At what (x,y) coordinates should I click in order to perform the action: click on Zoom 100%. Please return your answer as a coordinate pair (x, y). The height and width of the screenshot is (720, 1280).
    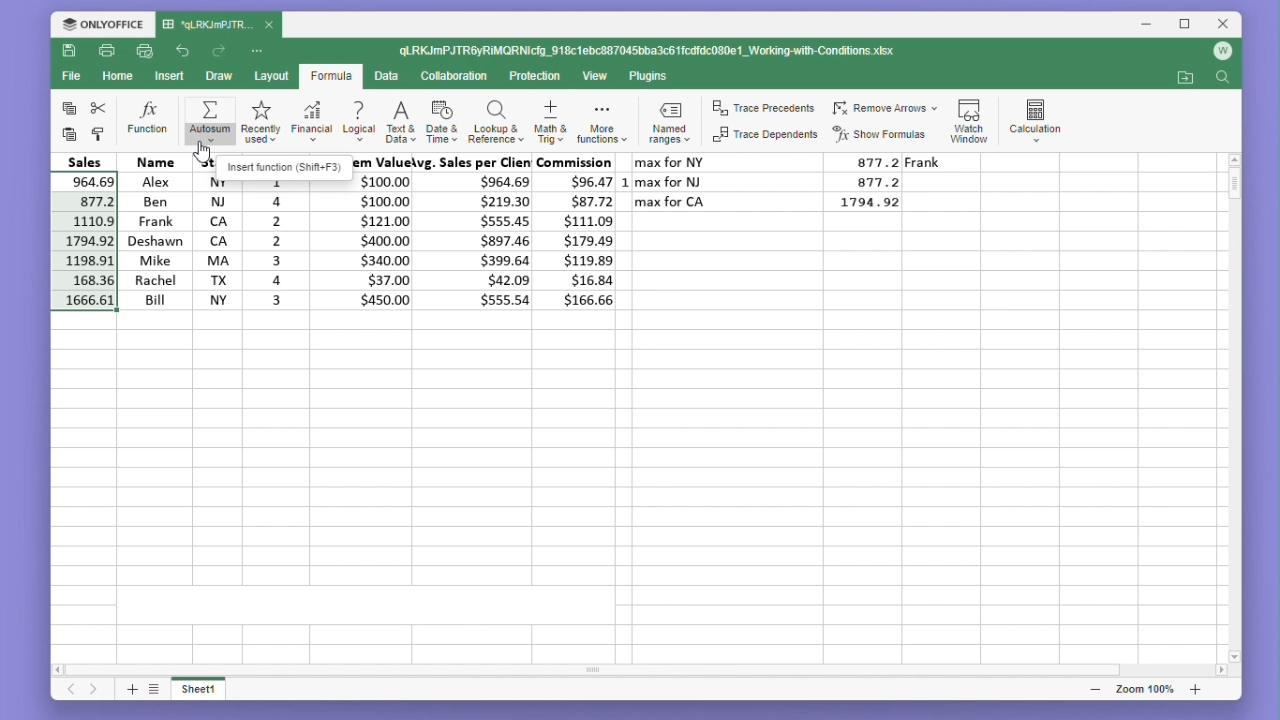
    Looking at the image, I should click on (1150, 689).